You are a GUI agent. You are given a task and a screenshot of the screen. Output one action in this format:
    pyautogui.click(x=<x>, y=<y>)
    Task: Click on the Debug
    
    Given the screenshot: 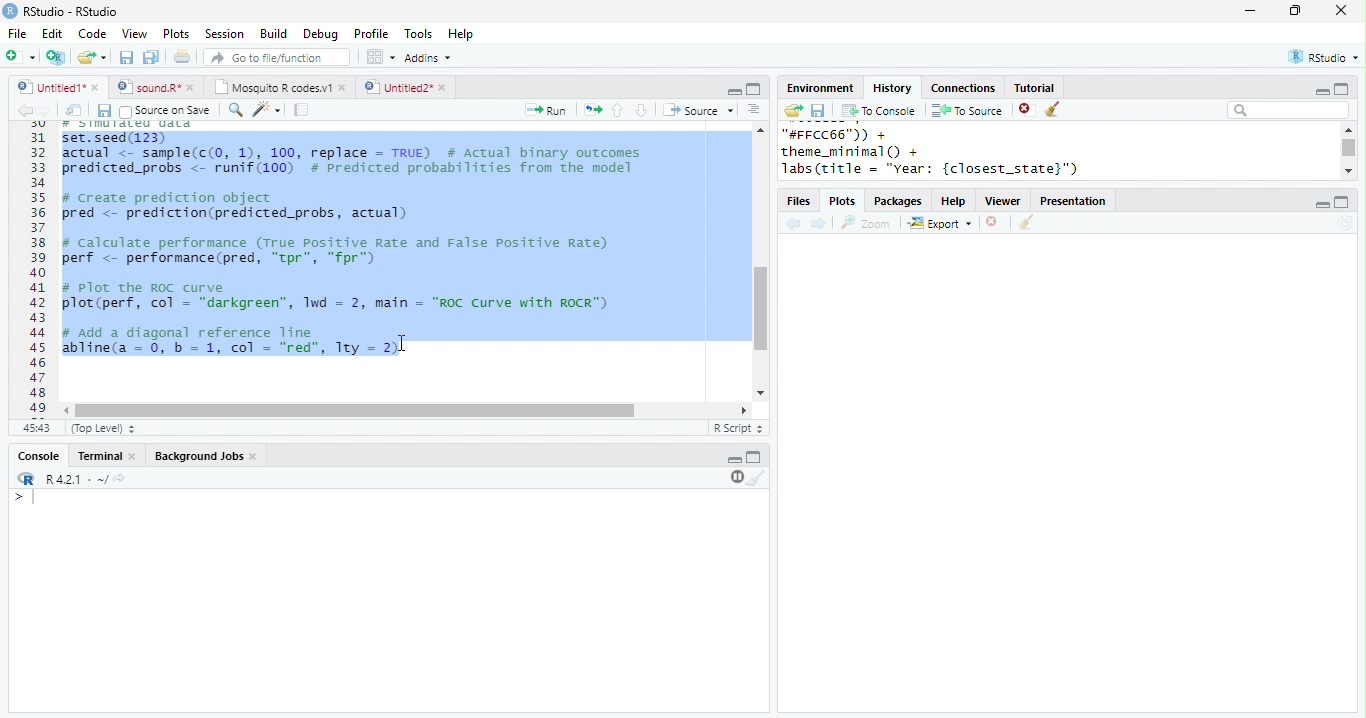 What is the action you would take?
    pyautogui.click(x=323, y=35)
    